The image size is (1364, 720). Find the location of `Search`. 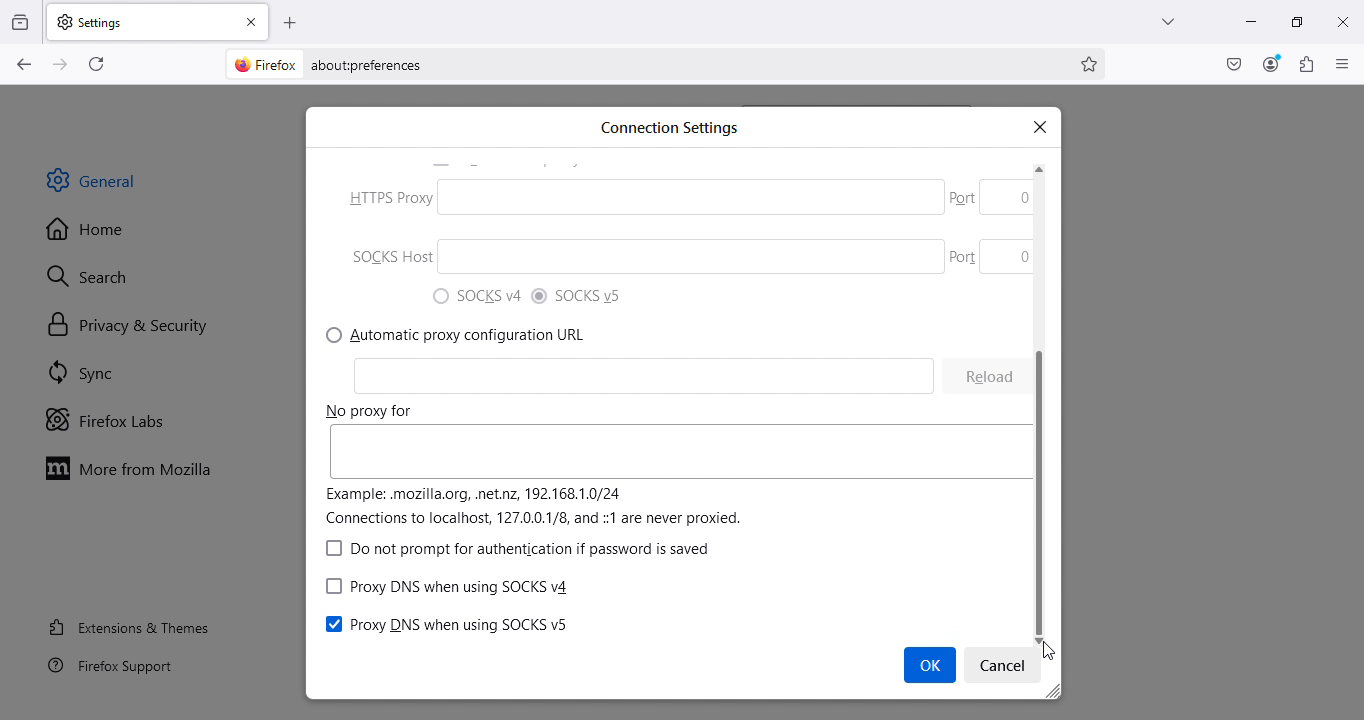

Search is located at coordinates (99, 273).